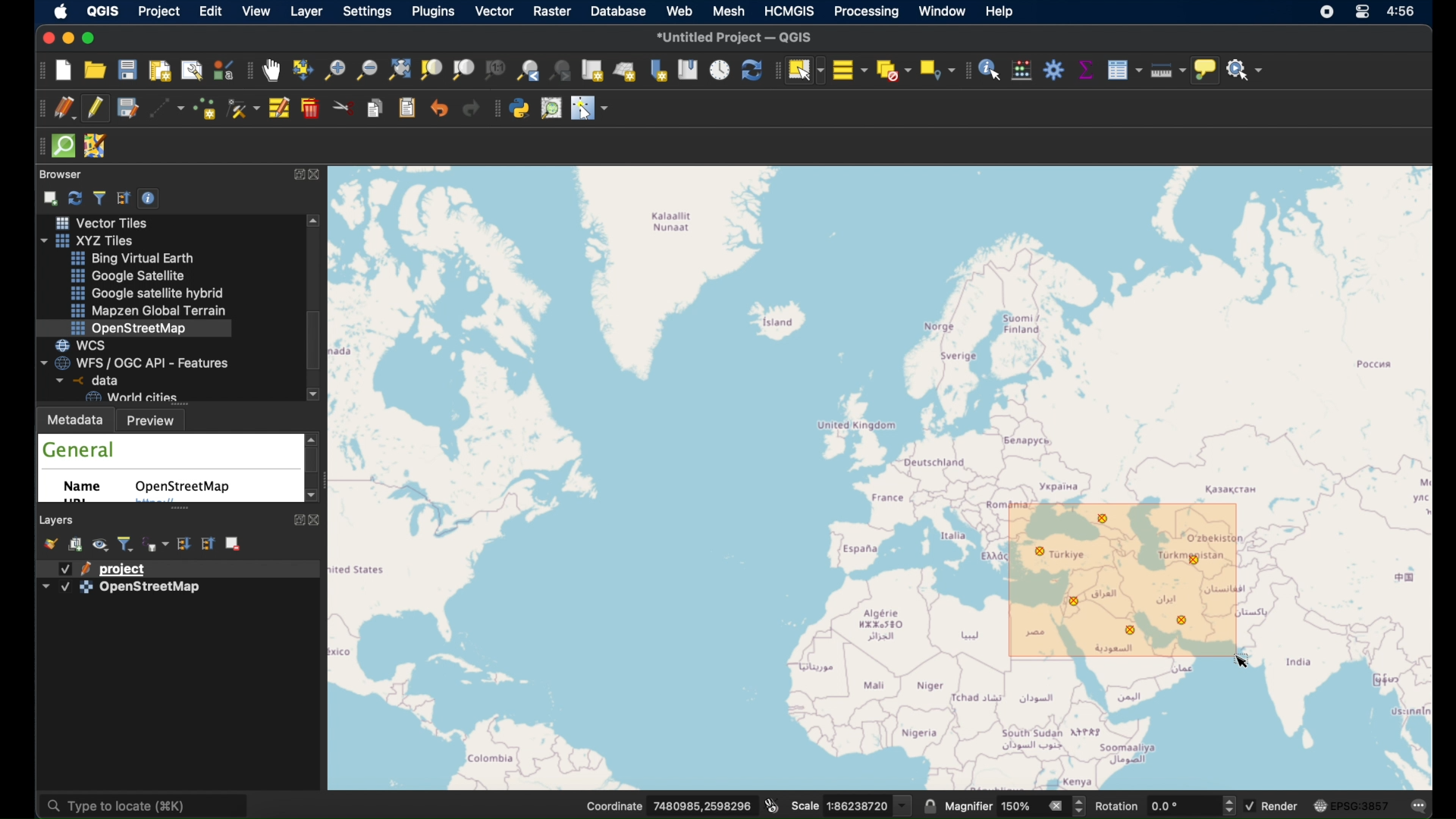  What do you see at coordinates (850, 69) in the screenshot?
I see `select all features` at bounding box center [850, 69].